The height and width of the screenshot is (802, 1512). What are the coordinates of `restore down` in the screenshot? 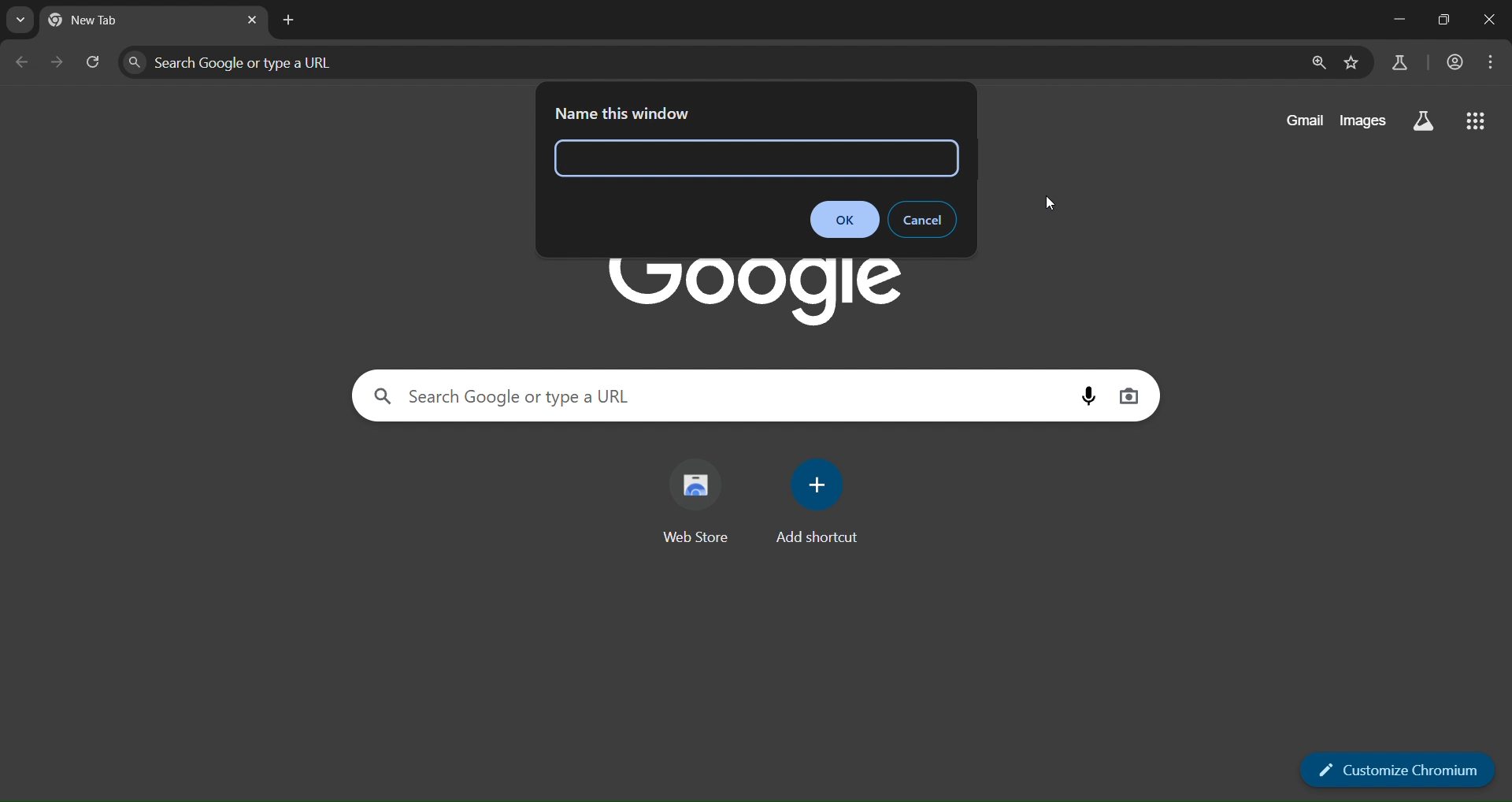 It's located at (1448, 21).